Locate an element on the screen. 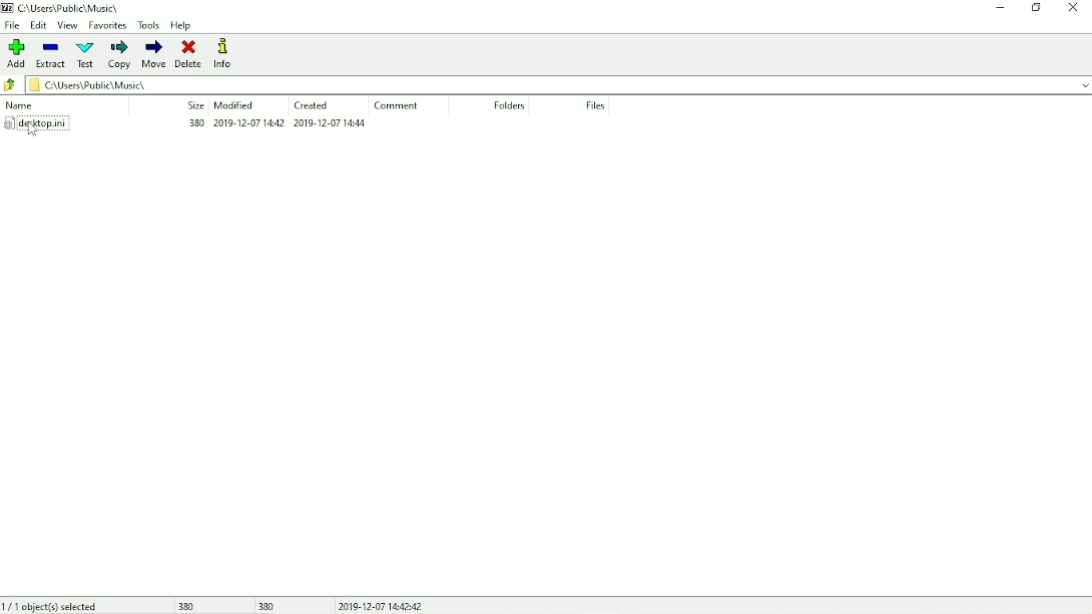 The height and width of the screenshot is (614, 1092). Add is located at coordinates (14, 54).